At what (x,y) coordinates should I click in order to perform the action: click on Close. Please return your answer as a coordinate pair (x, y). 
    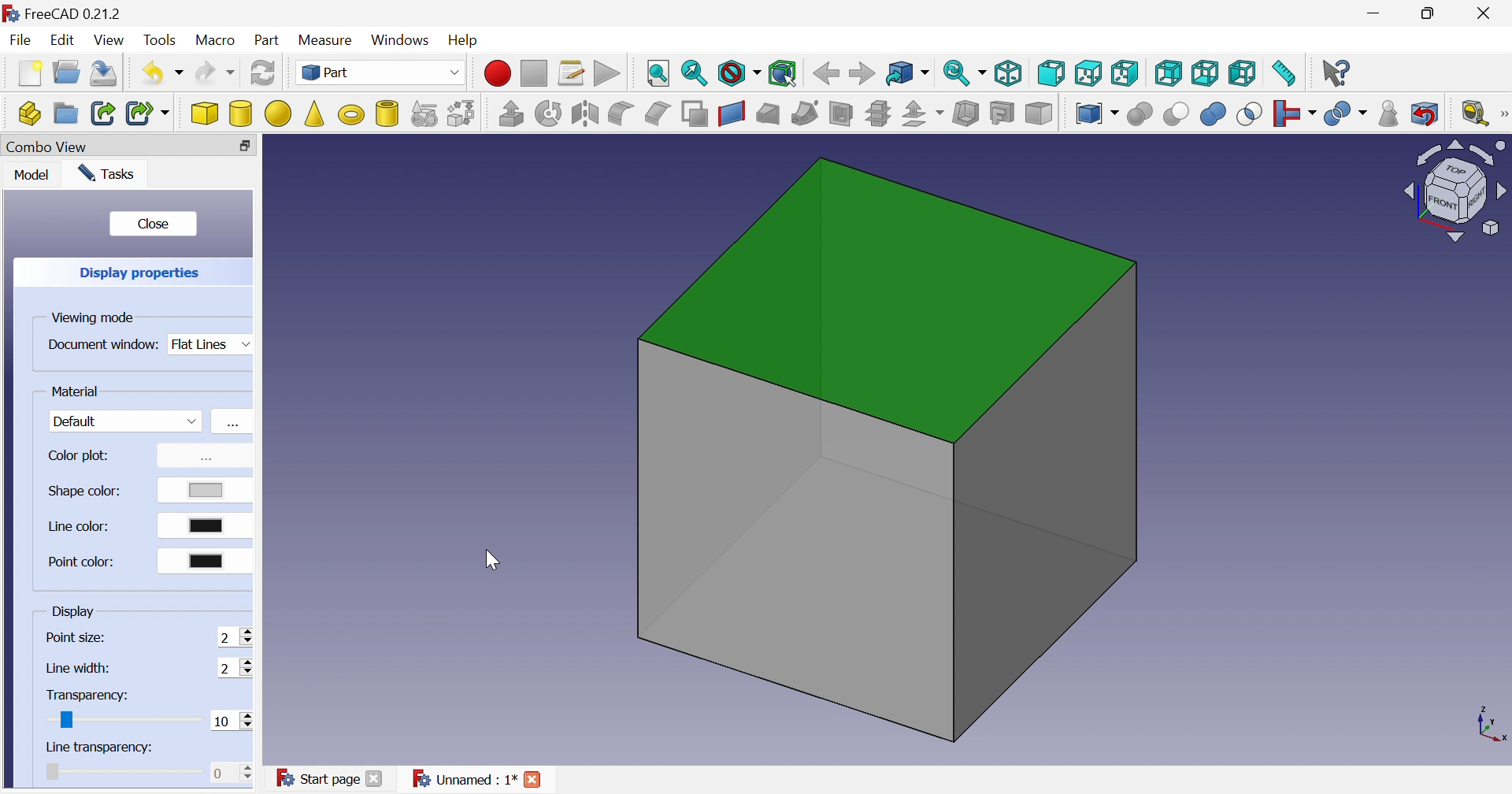
    Looking at the image, I should click on (373, 781).